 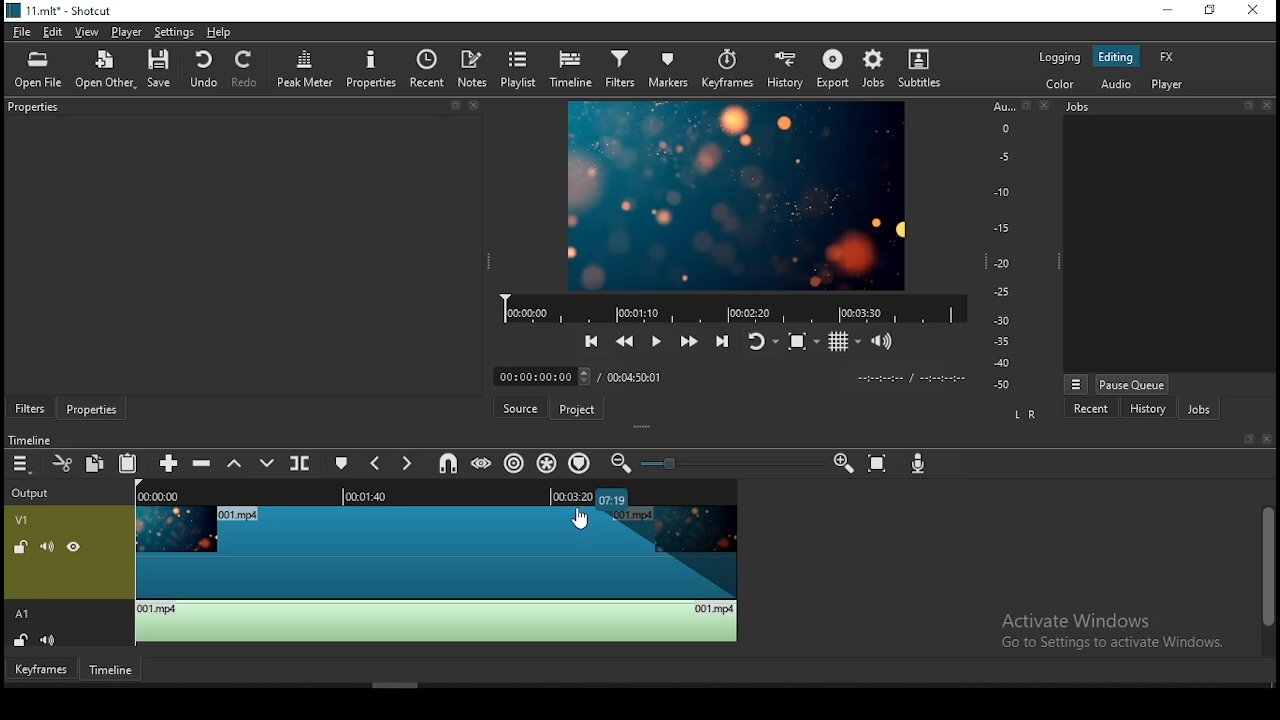 What do you see at coordinates (203, 463) in the screenshot?
I see `ripple delete` at bounding box center [203, 463].